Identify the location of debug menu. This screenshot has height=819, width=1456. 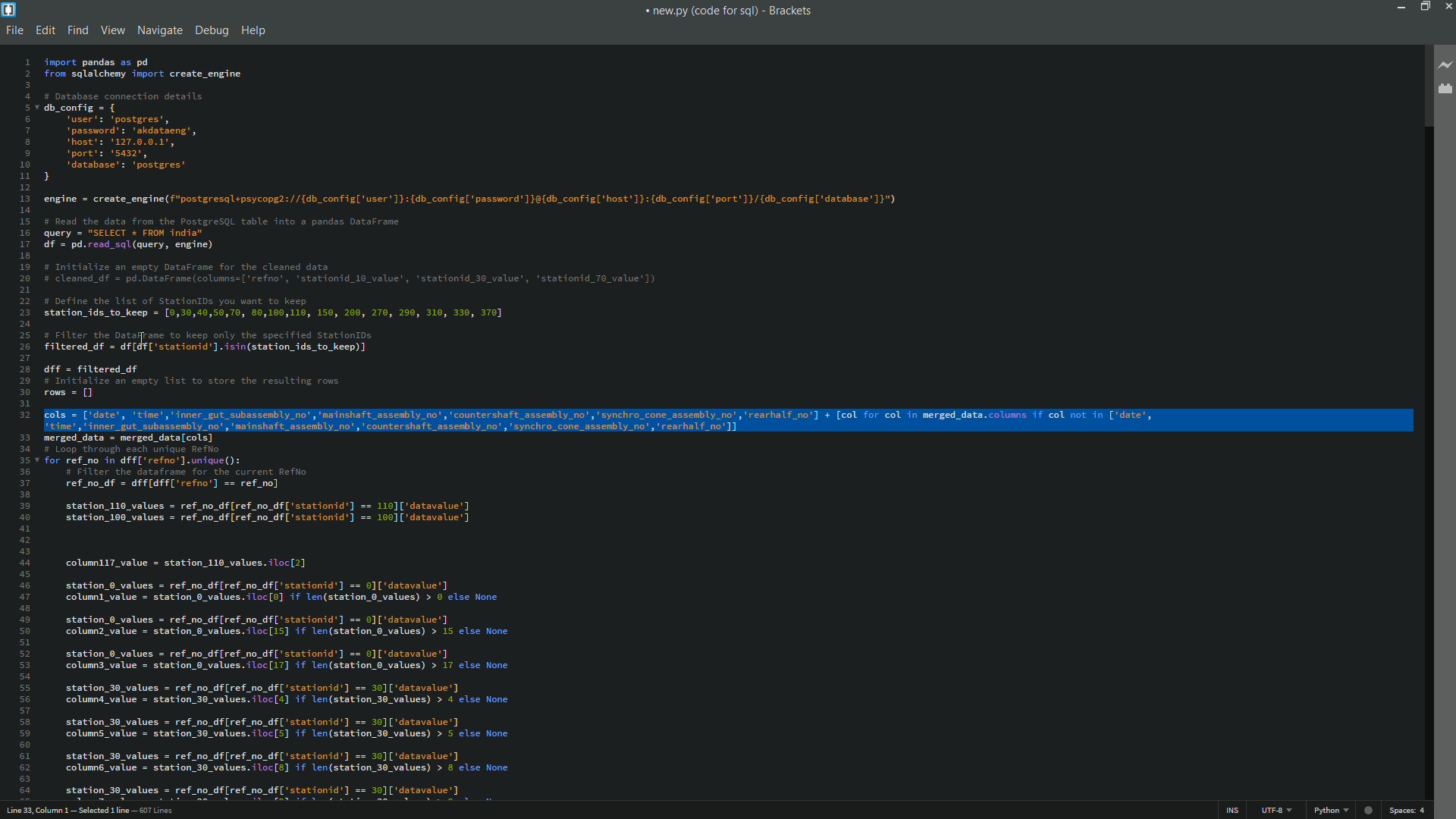
(212, 31).